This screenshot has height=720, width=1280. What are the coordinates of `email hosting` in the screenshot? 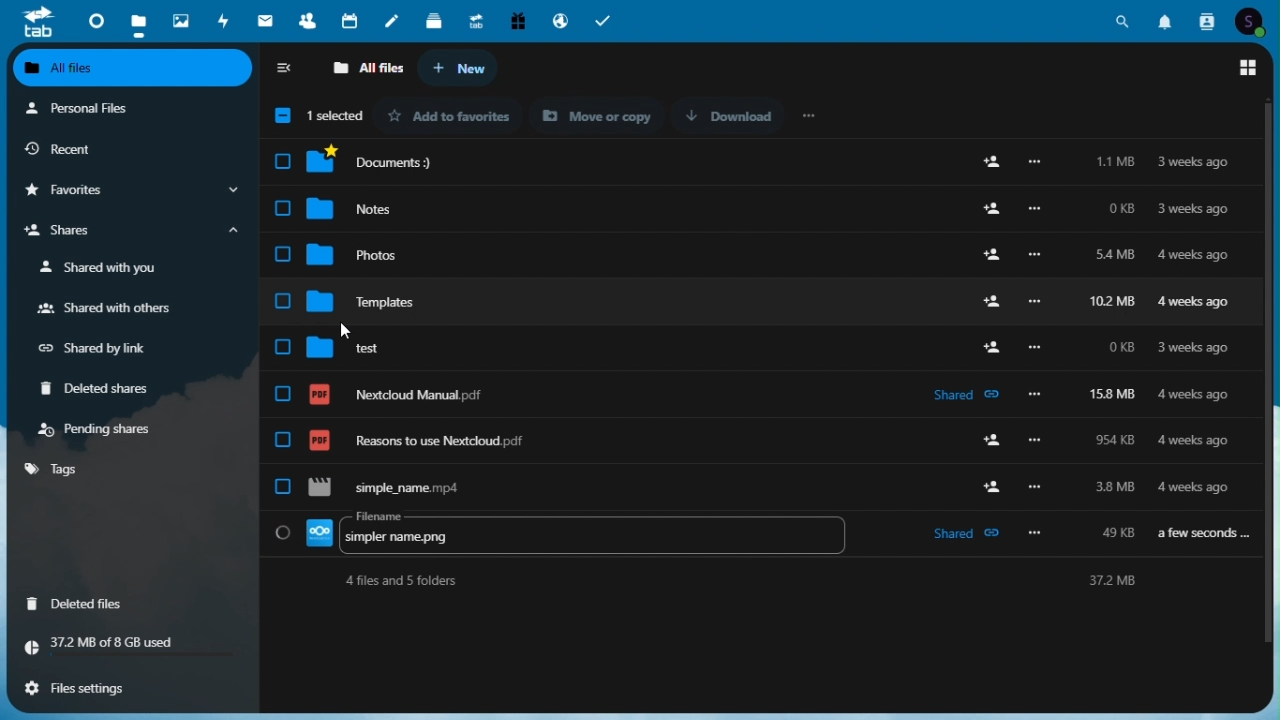 It's located at (559, 20).